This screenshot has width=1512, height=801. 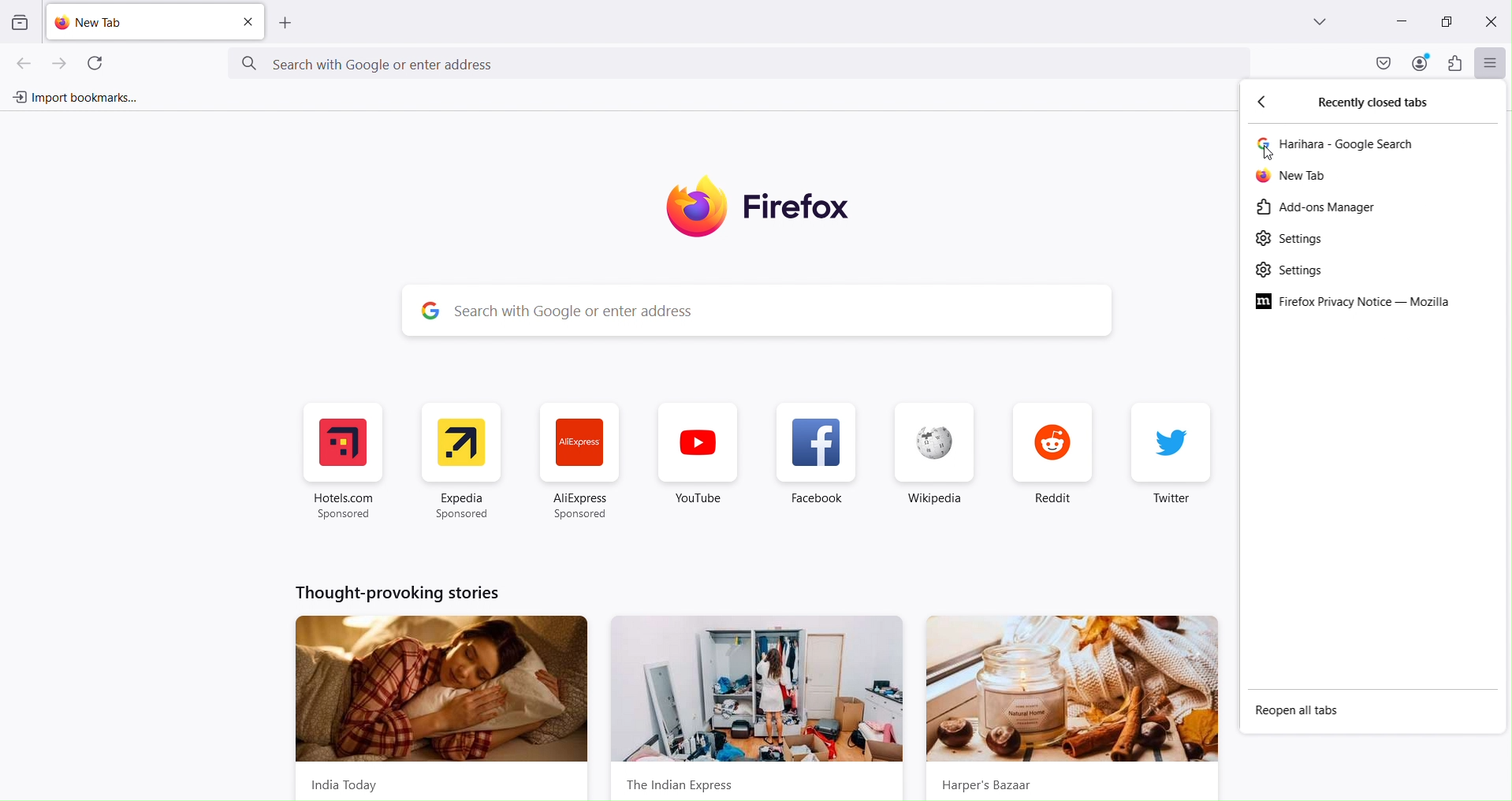 I want to click on Move backward, so click(x=1268, y=104).